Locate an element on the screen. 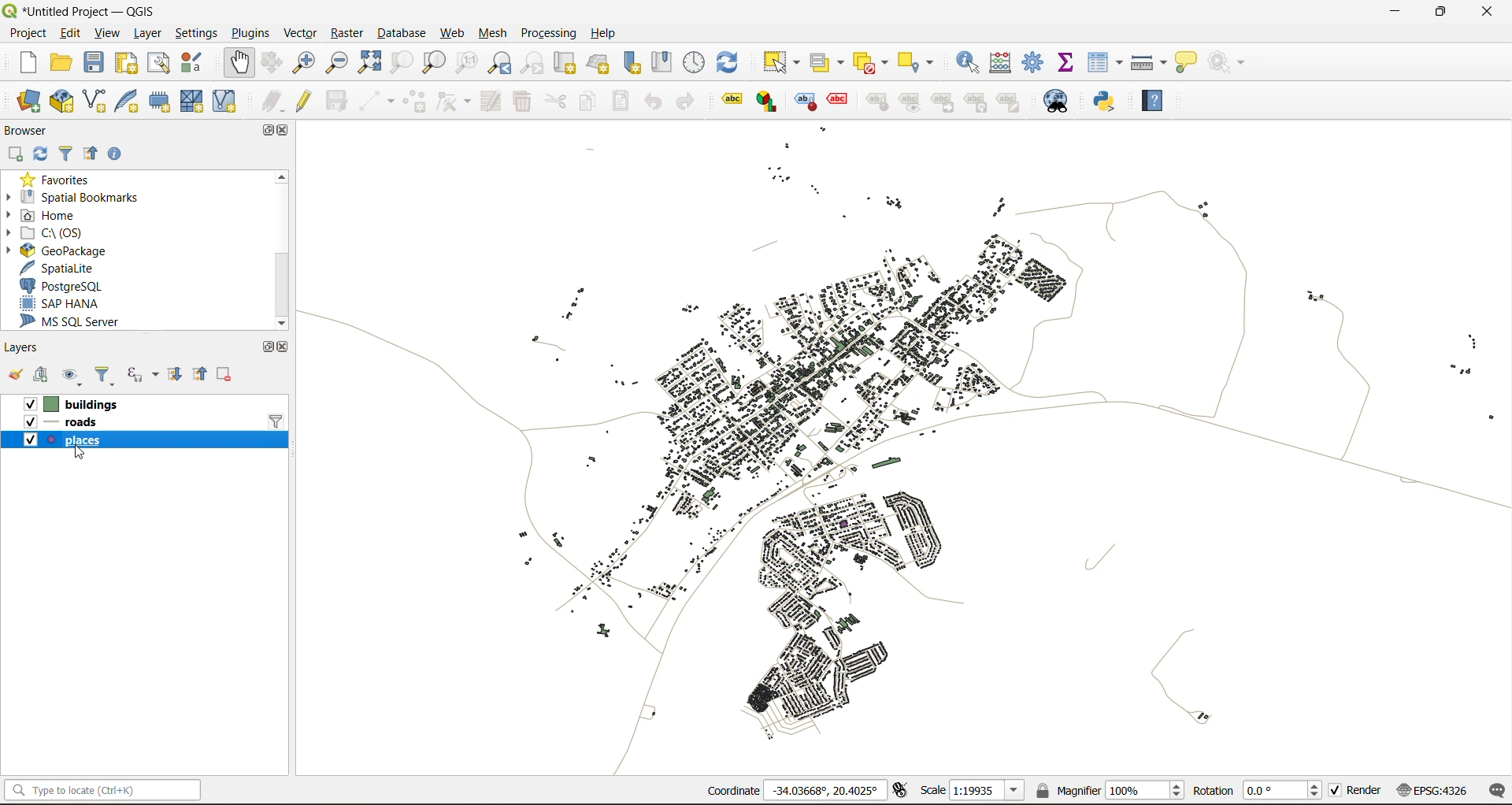 The width and height of the screenshot is (1512, 805). enable properties is located at coordinates (115, 154).